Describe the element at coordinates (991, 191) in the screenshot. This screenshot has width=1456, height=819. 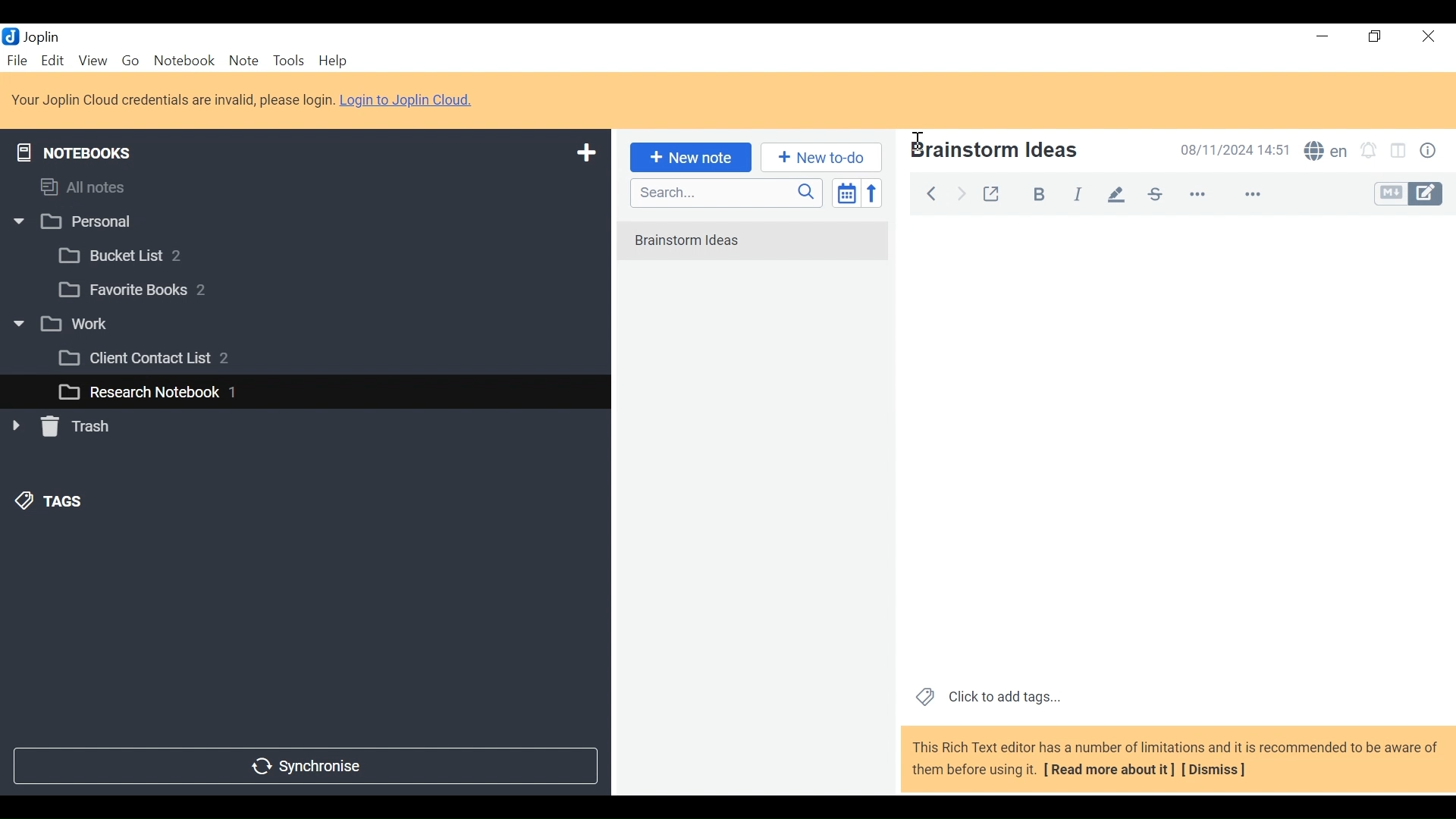
I see `Toggle external editing` at that location.